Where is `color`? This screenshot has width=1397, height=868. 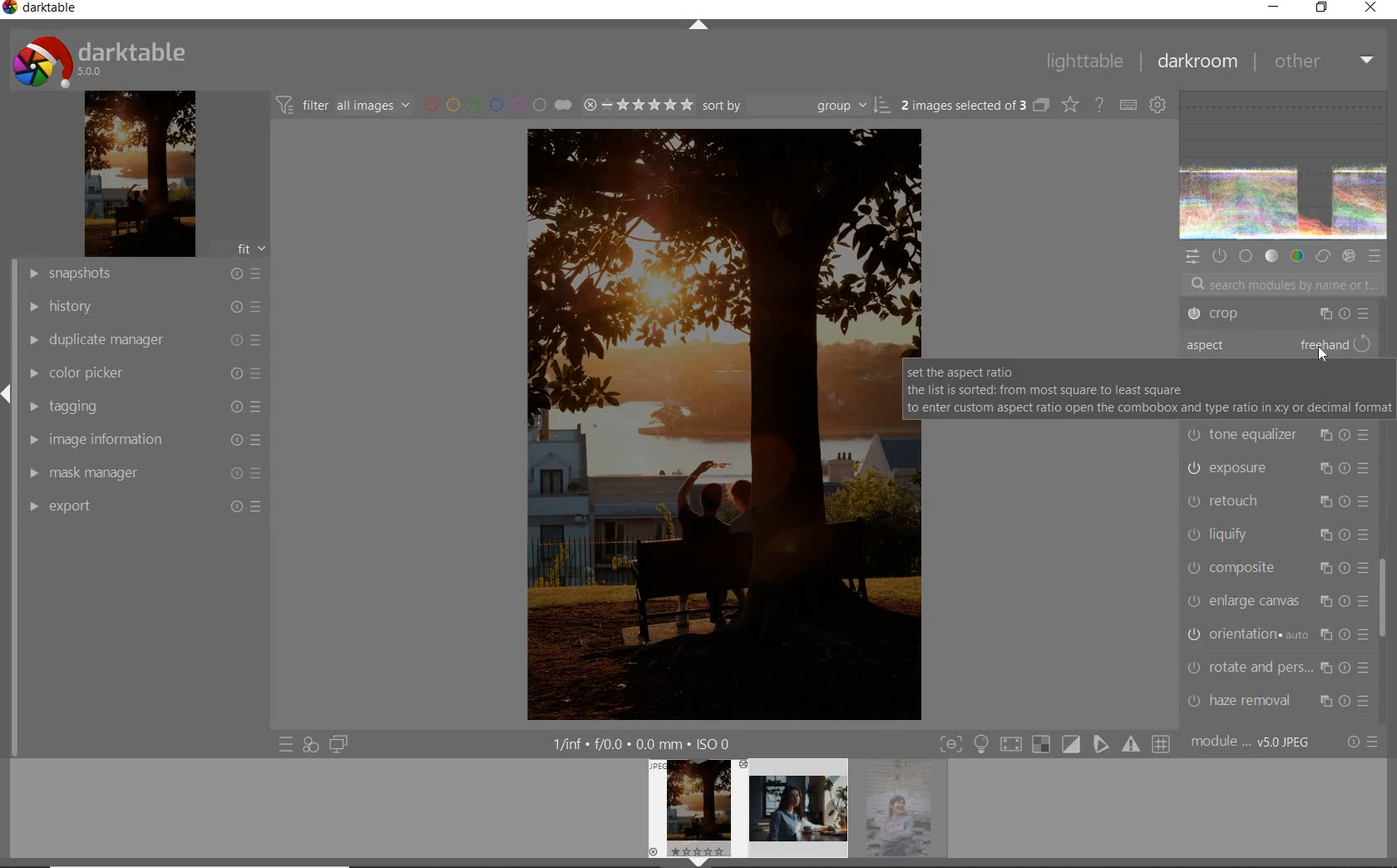 color is located at coordinates (1296, 257).